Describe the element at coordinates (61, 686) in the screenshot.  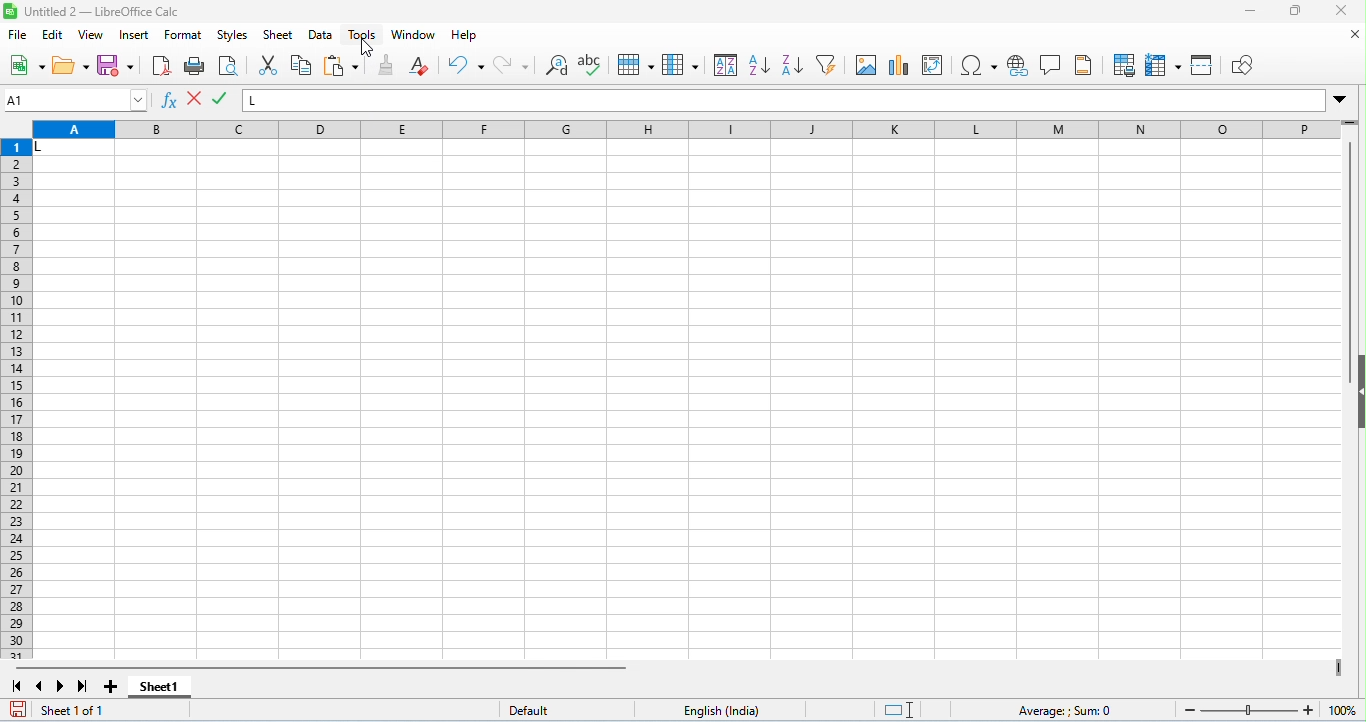
I see `next` at that location.